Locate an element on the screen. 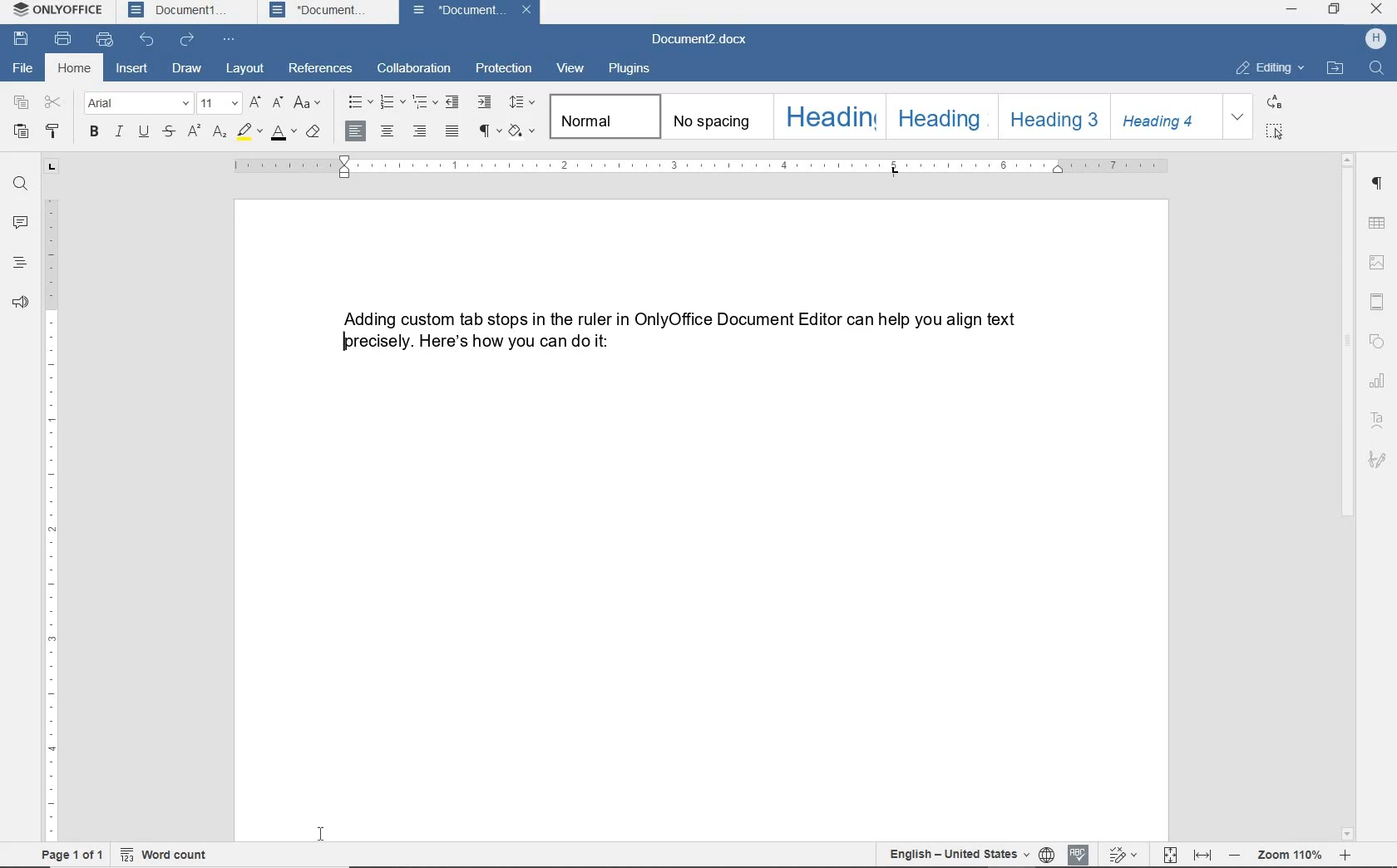  strikethrough is located at coordinates (170, 132).